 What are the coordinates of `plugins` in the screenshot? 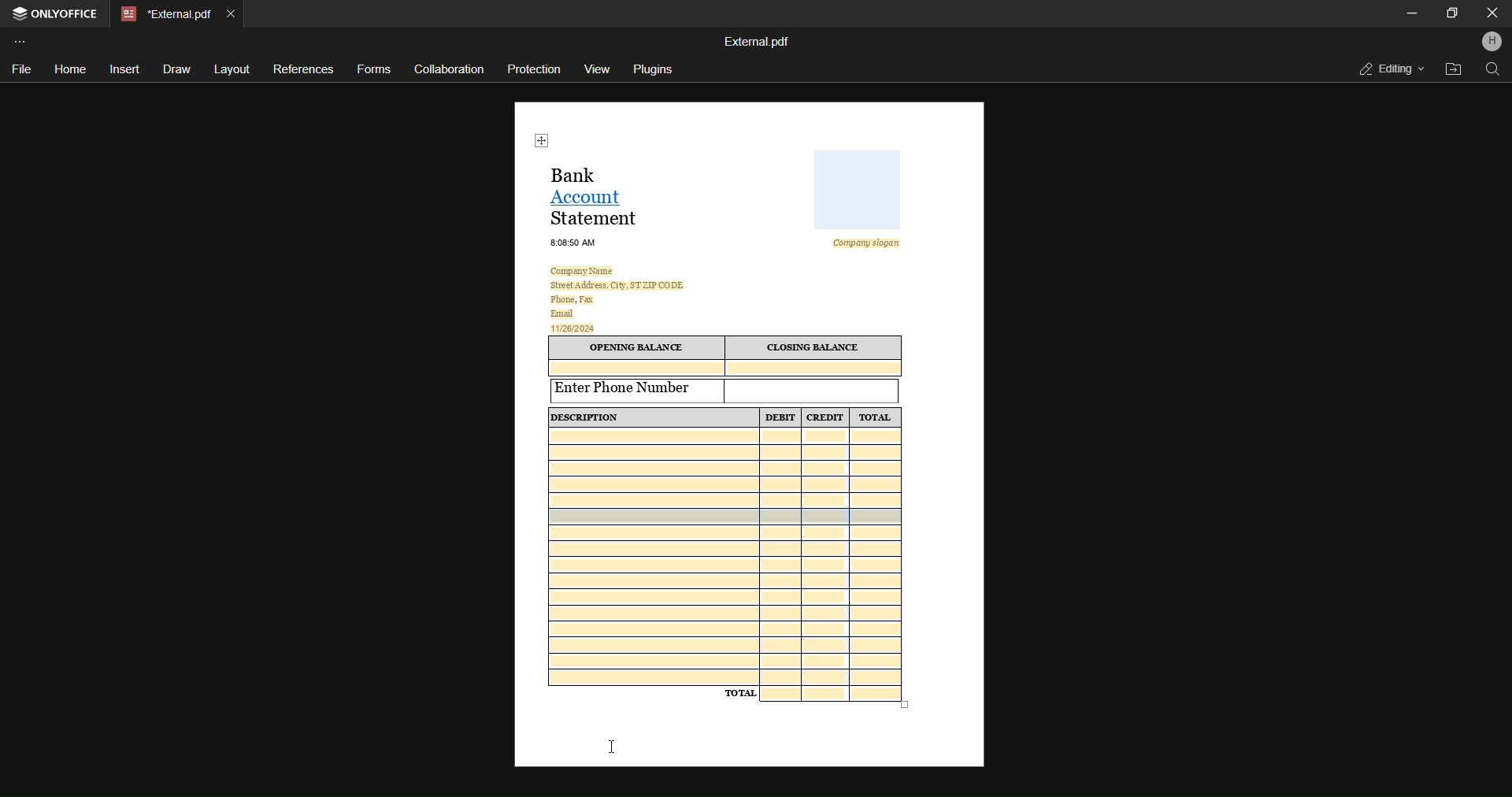 It's located at (654, 69).